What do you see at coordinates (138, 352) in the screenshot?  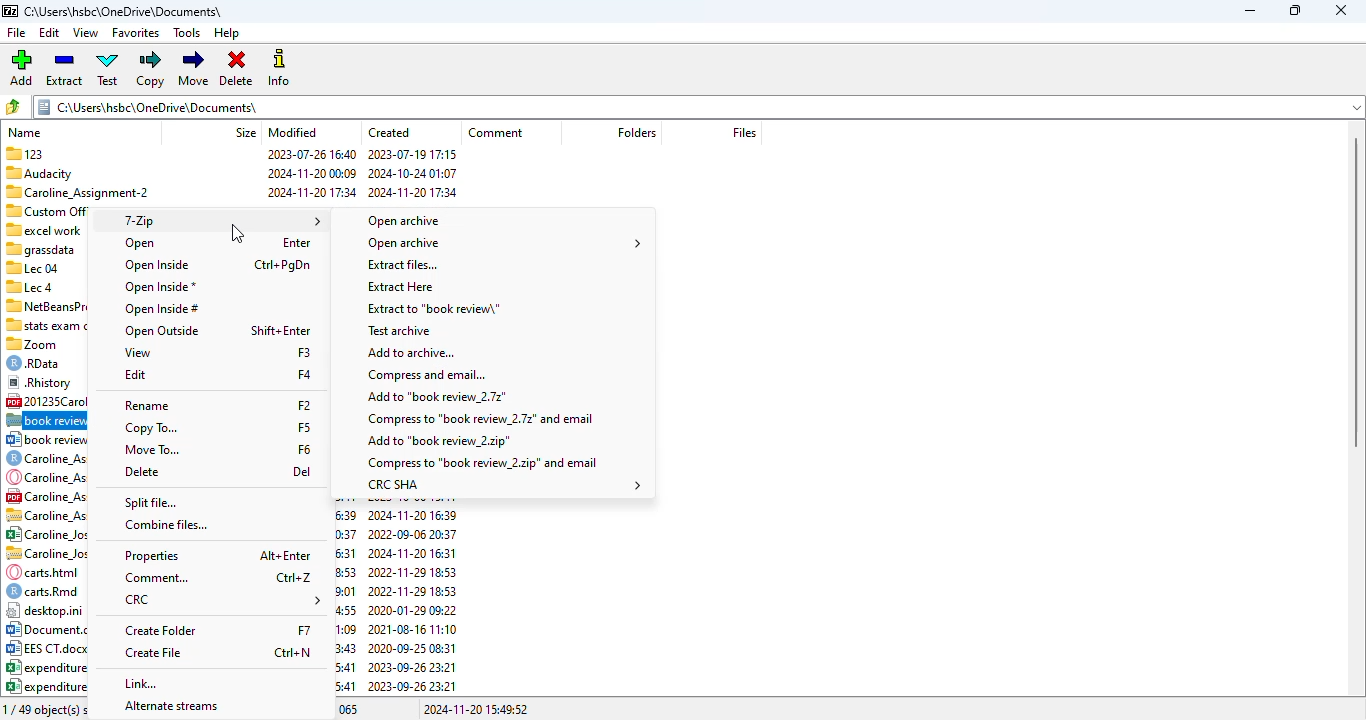 I see `view` at bounding box center [138, 352].